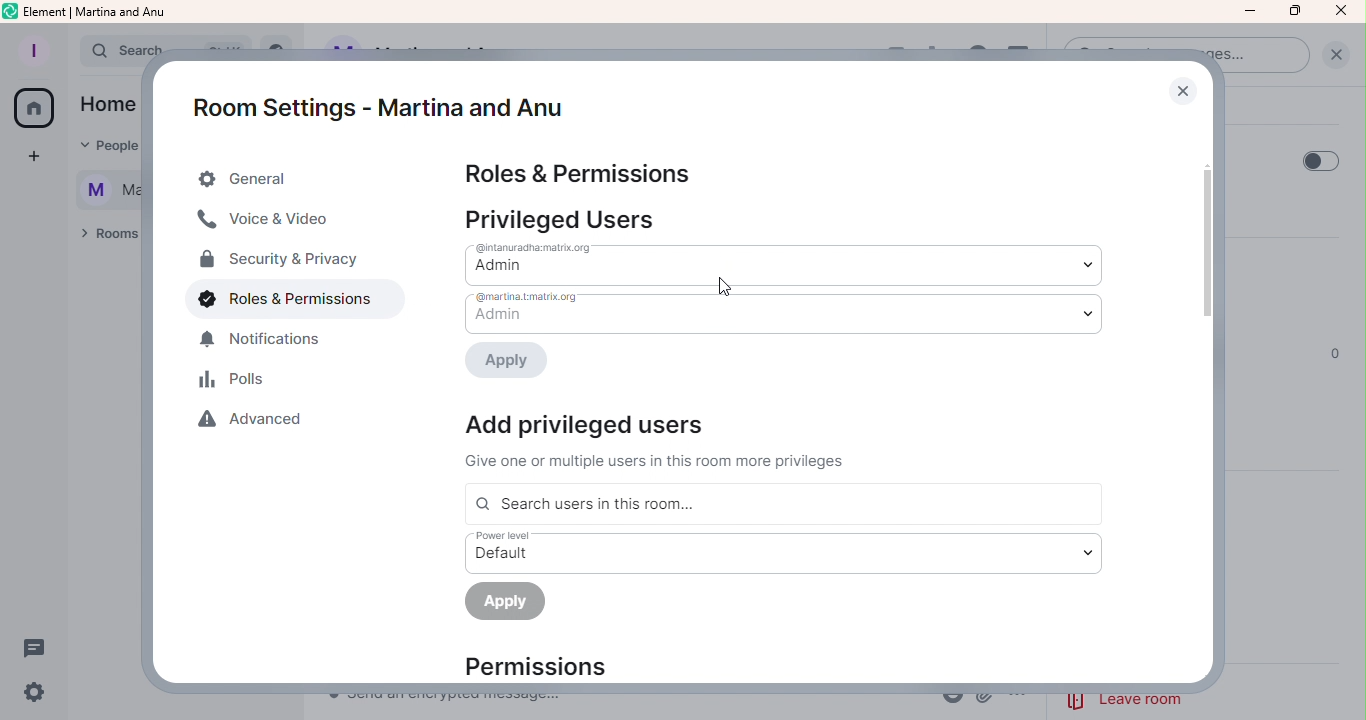 The image size is (1366, 720). I want to click on Security and privacy, so click(278, 262).